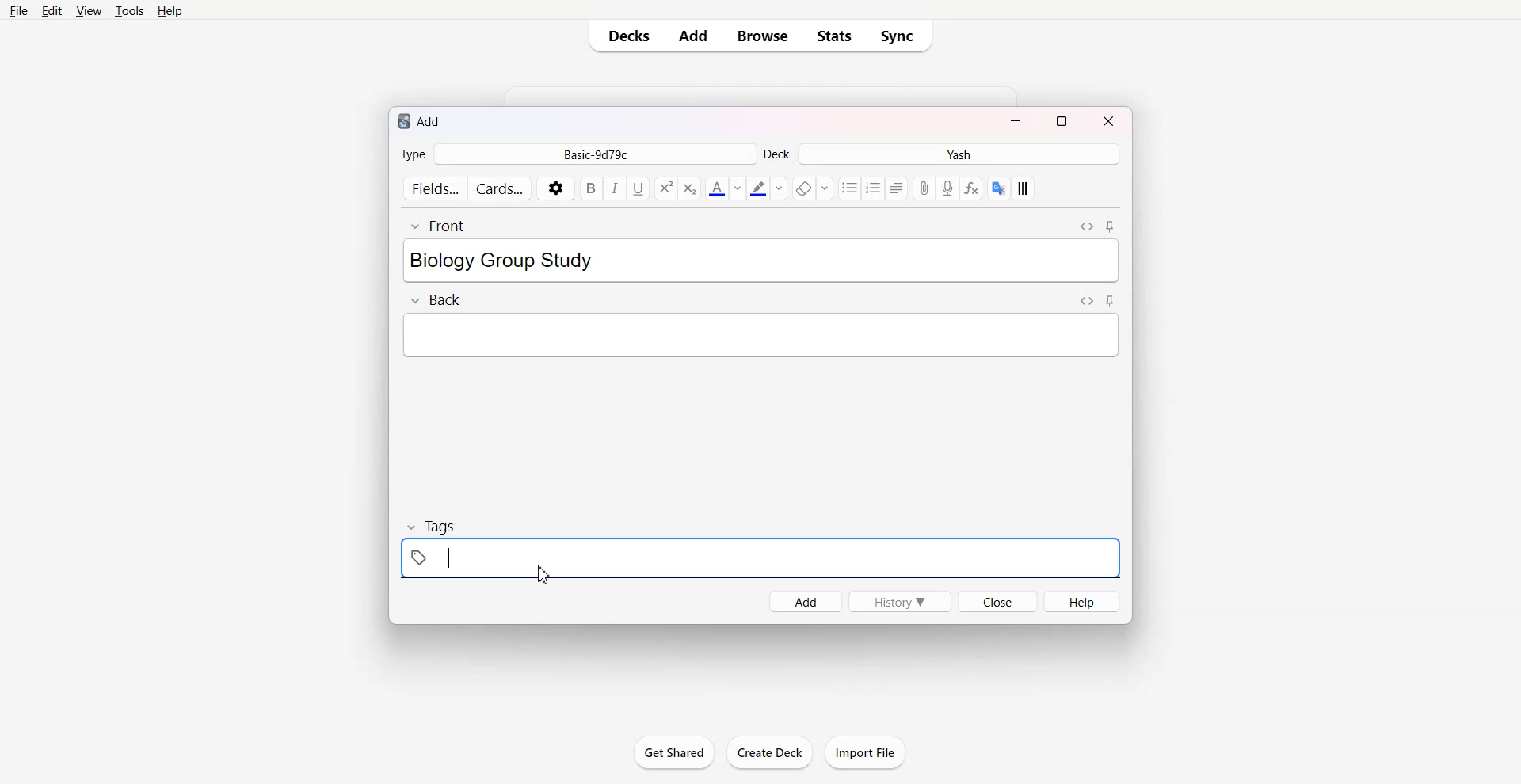  Describe the element at coordinates (972, 188) in the screenshot. I see `Equation` at that location.